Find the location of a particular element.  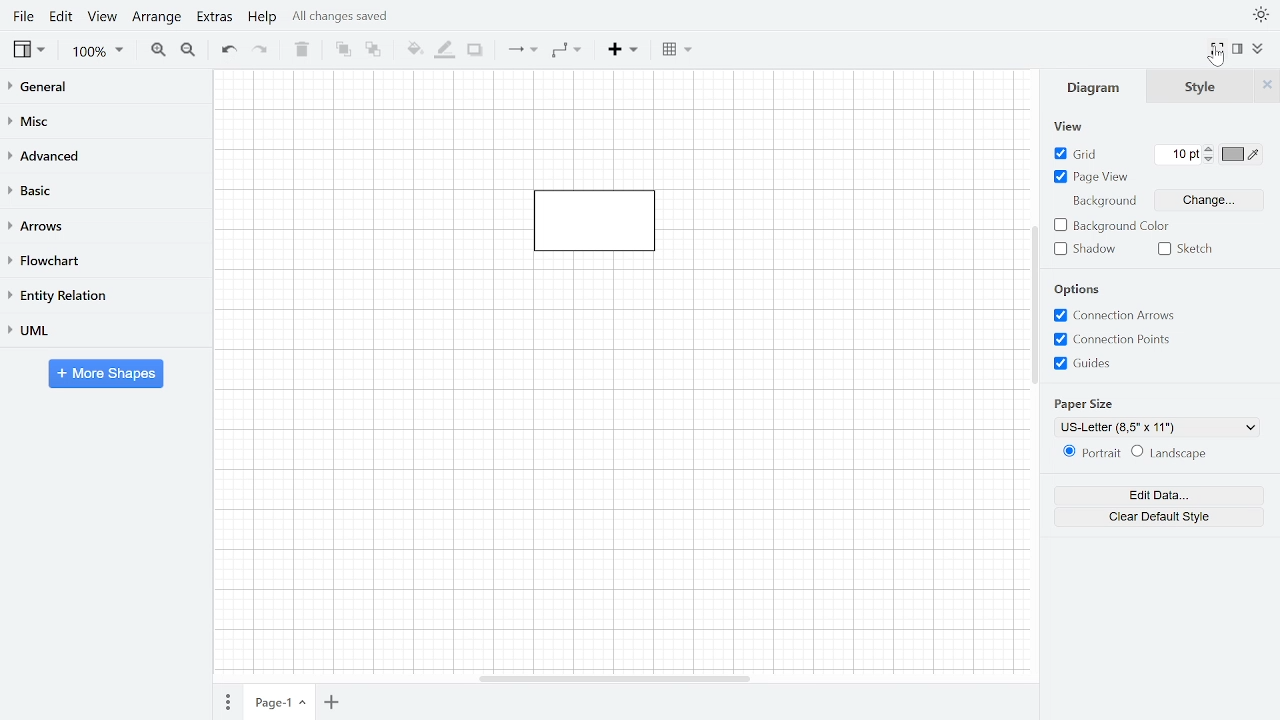

Connection arrows is located at coordinates (1113, 317).